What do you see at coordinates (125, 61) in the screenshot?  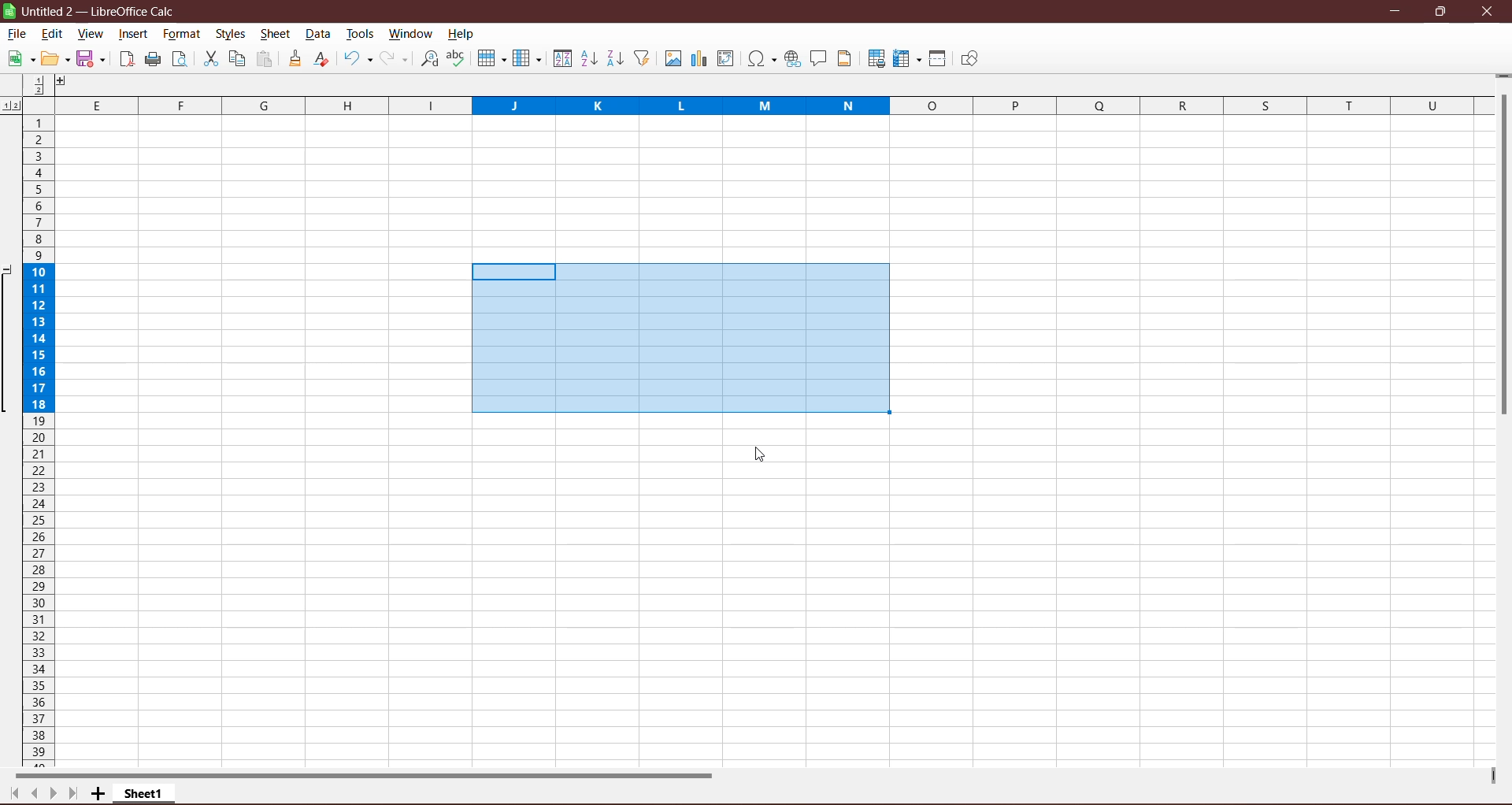 I see `Export directly as PDF` at bounding box center [125, 61].